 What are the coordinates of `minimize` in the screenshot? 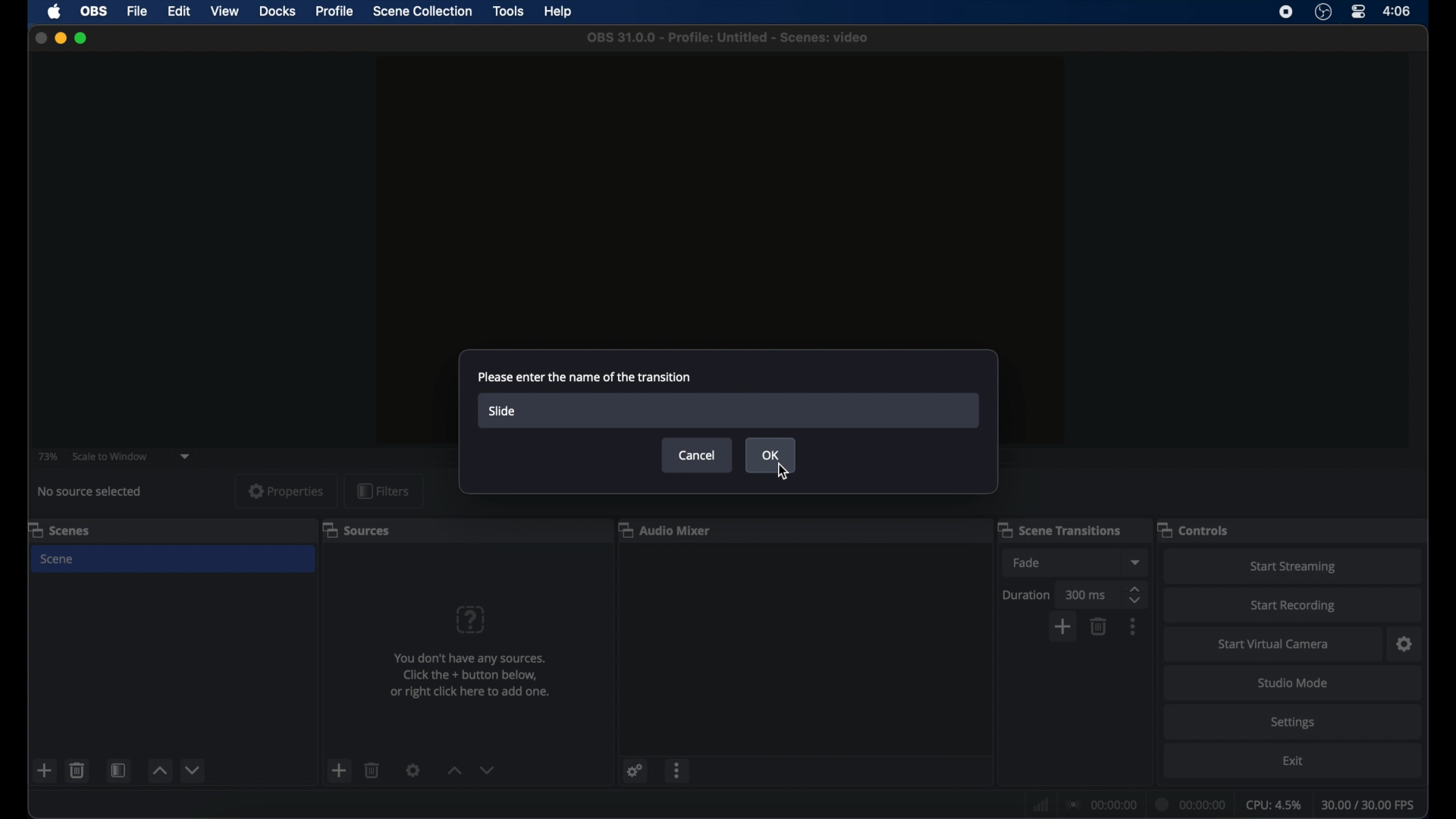 It's located at (60, 38).